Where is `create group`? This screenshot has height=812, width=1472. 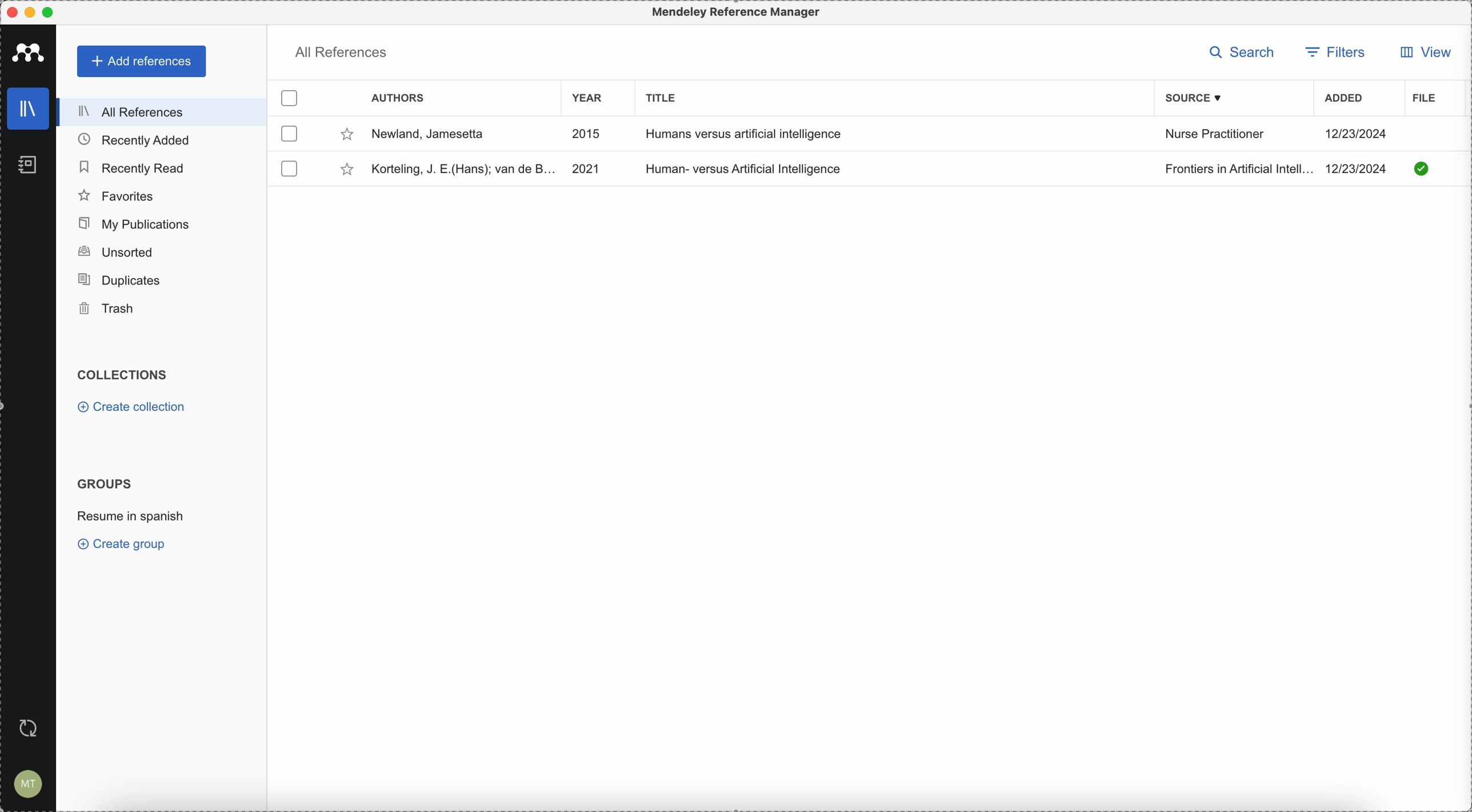
create group is located at coordinates (117, 545).